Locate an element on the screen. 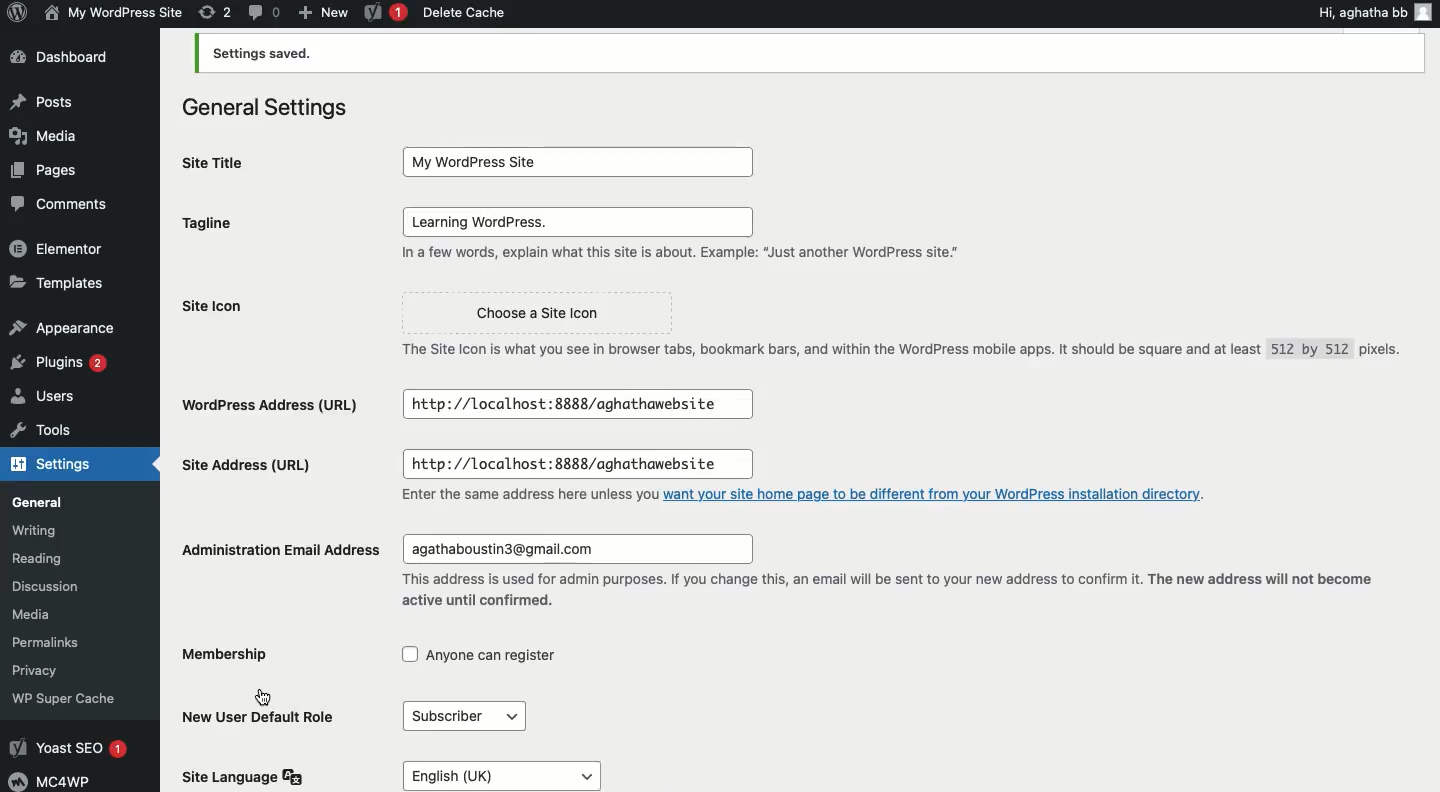 This screenshot has width=1440, height=792.  MCAWP is located at coordinates (56, 781).